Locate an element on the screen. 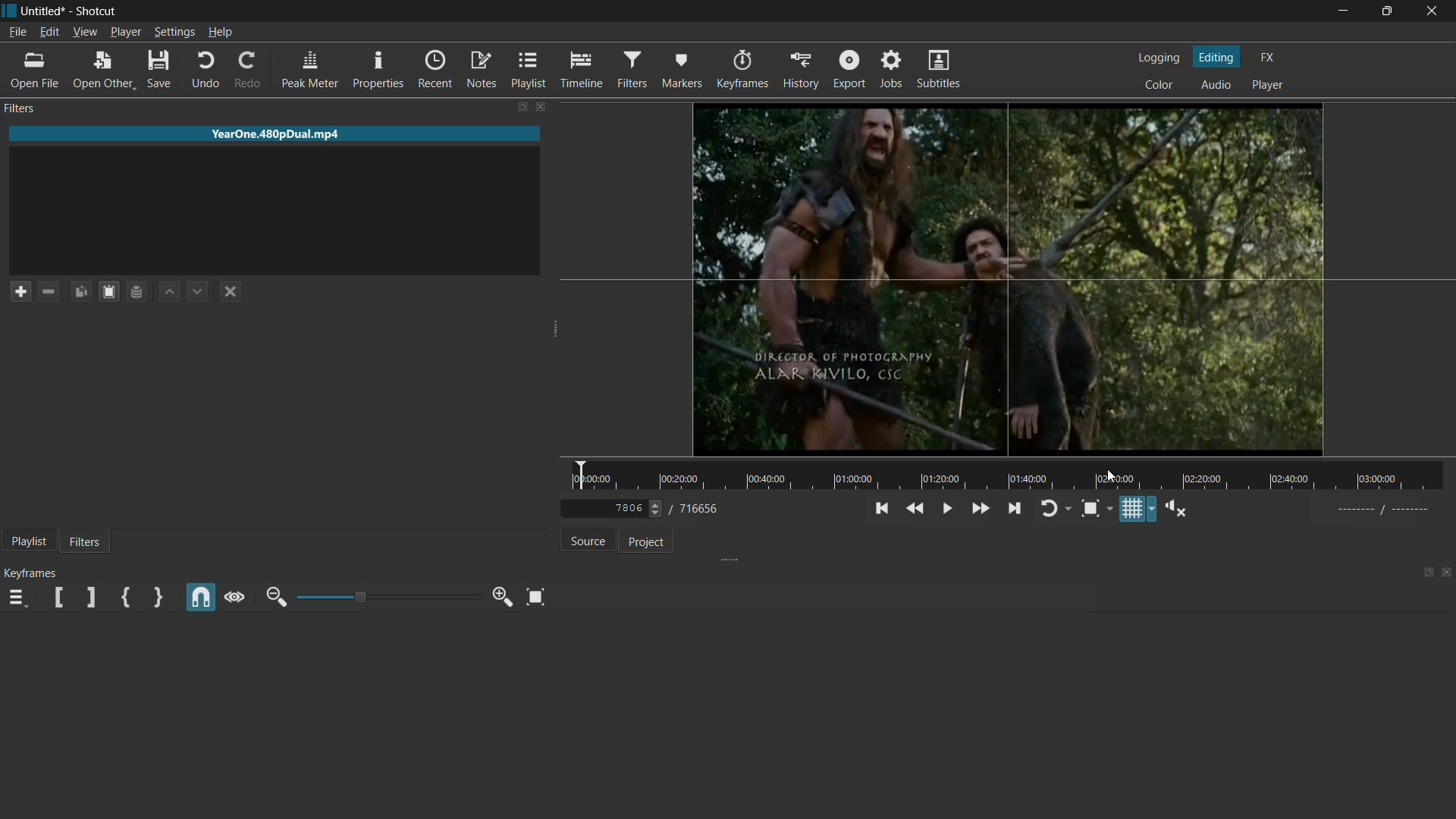  app icon is located at coordinates (9, 10).